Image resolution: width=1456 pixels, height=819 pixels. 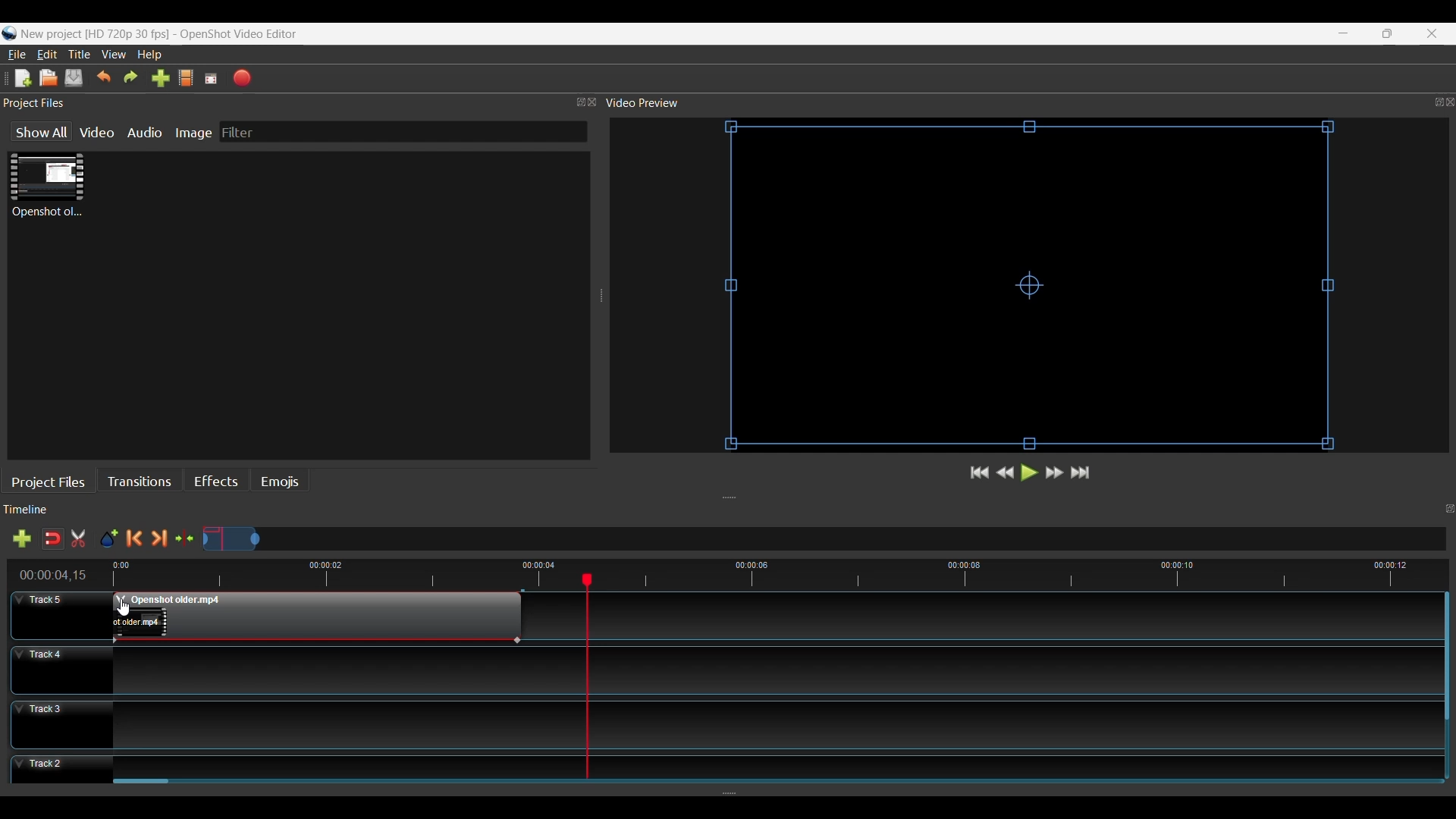 What do you see at coordinates (1082, 473) in the screenshot?
I see `Jump to End` at bounding box center [1082, 473].